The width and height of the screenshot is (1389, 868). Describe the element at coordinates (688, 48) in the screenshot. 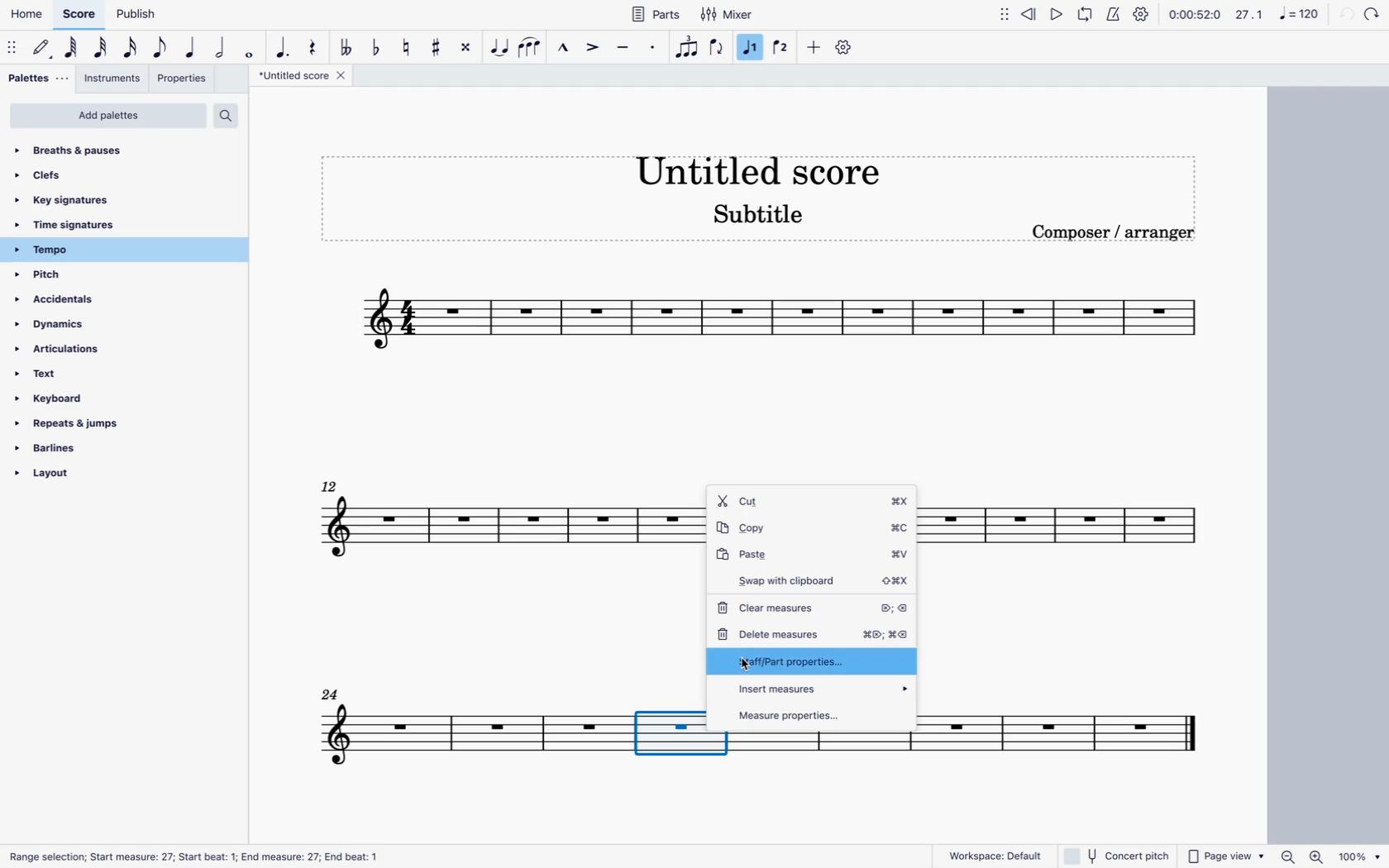

I see `voice 1` at that location.